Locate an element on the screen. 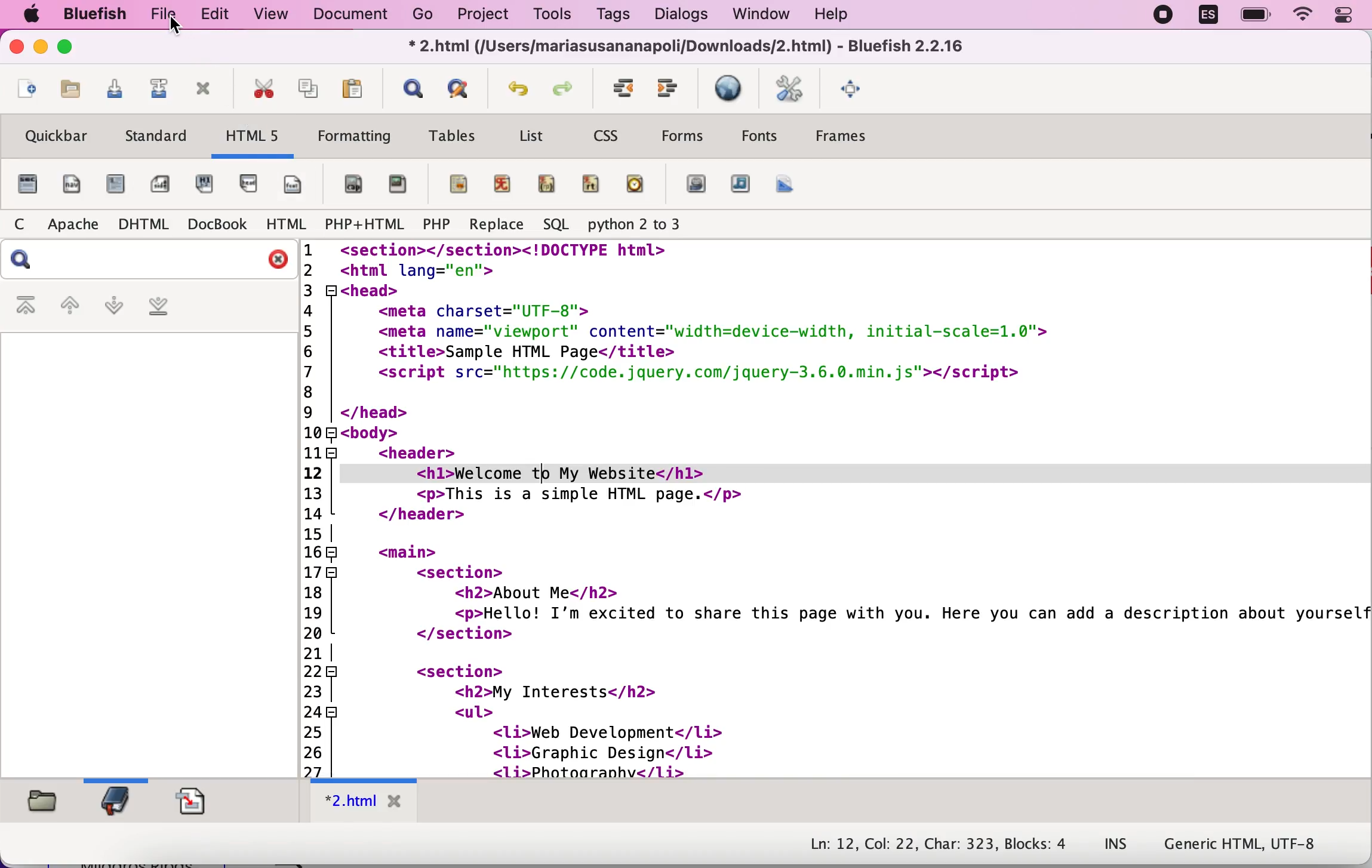 The image size is (1372, 868). unindent is located at coordinates (670, 90).